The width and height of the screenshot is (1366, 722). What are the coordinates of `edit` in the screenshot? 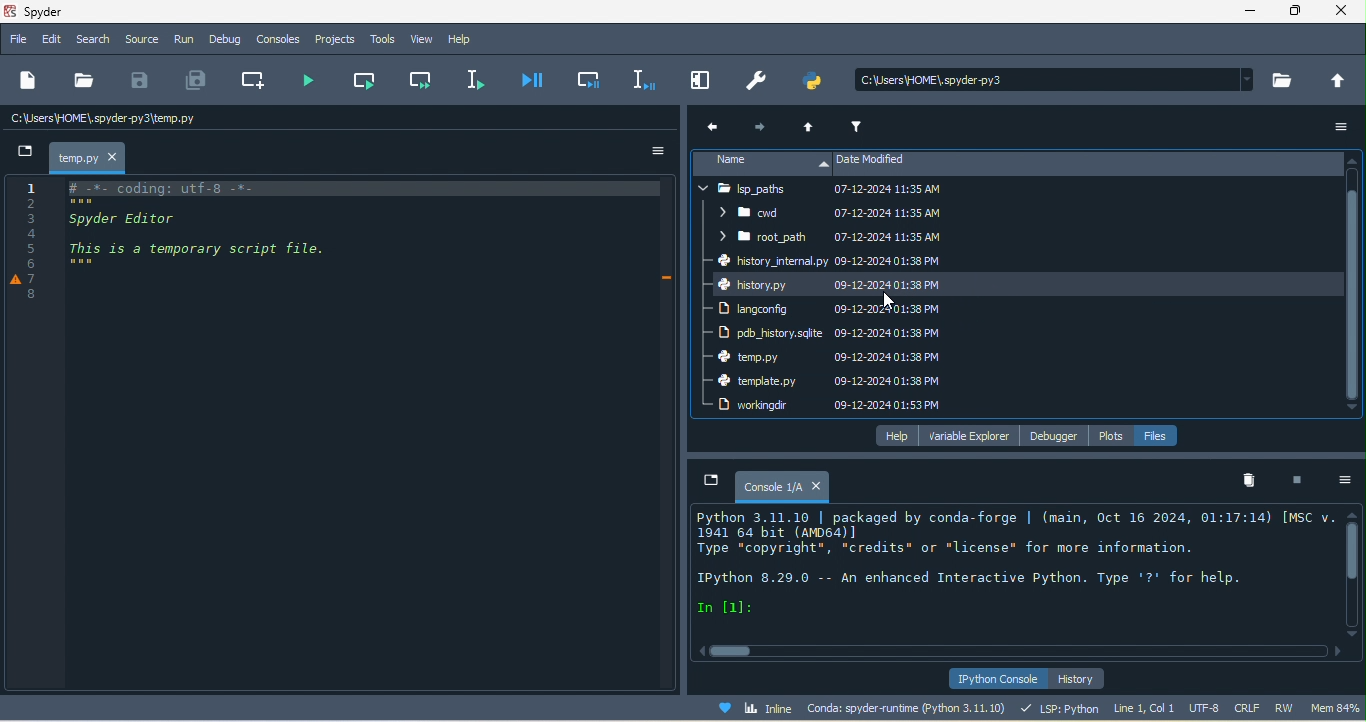 It's located at (50, 40).